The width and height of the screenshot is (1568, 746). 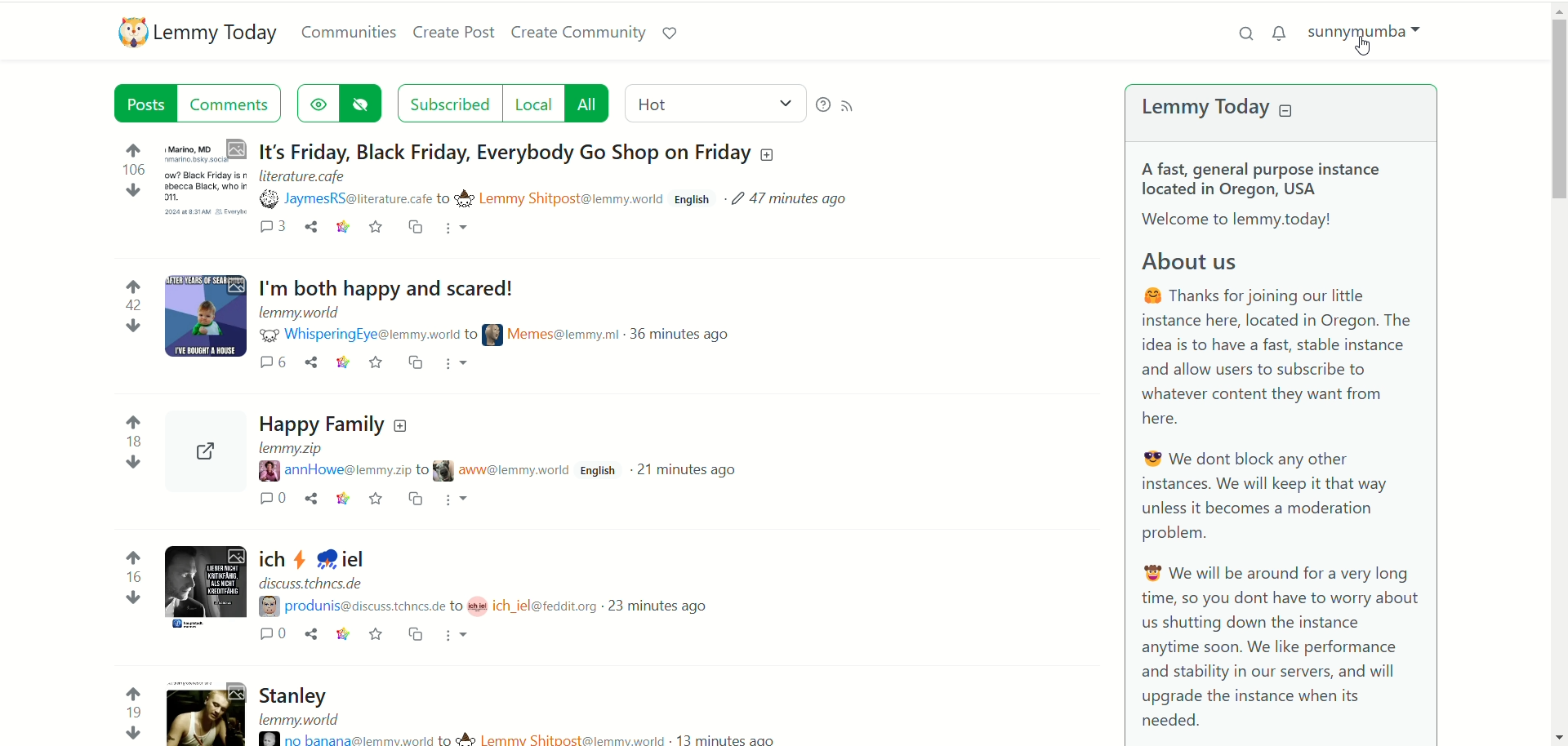 What do you see at coordinates (527, 176) in the screenshot?
I see `post` at bounding box center [527, 176].